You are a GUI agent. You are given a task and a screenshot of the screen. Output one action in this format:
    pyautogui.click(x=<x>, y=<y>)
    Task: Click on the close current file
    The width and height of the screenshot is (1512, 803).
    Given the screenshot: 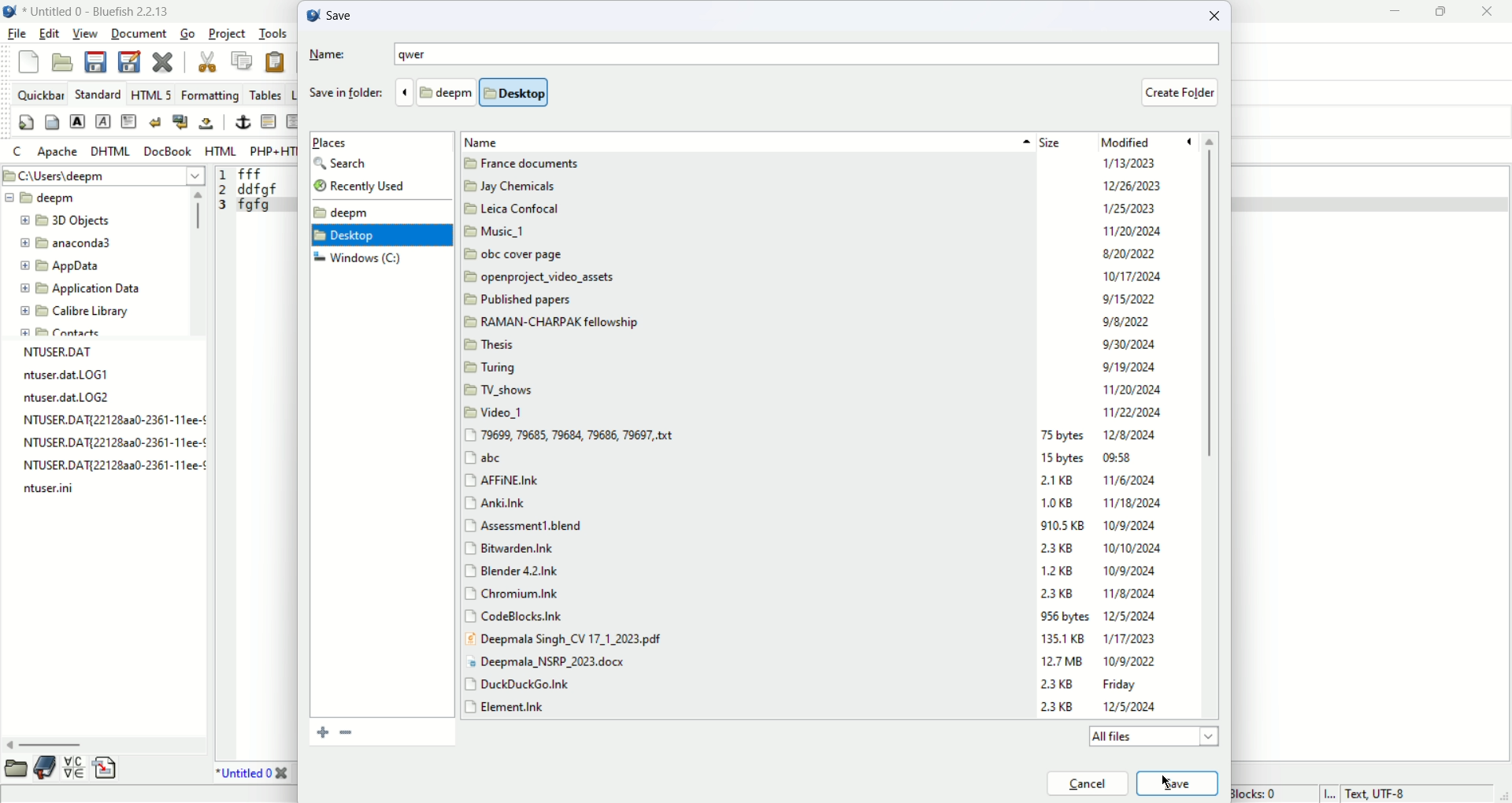 What is the action you would take?
    pyautogui.click(x=165, y=61)
    